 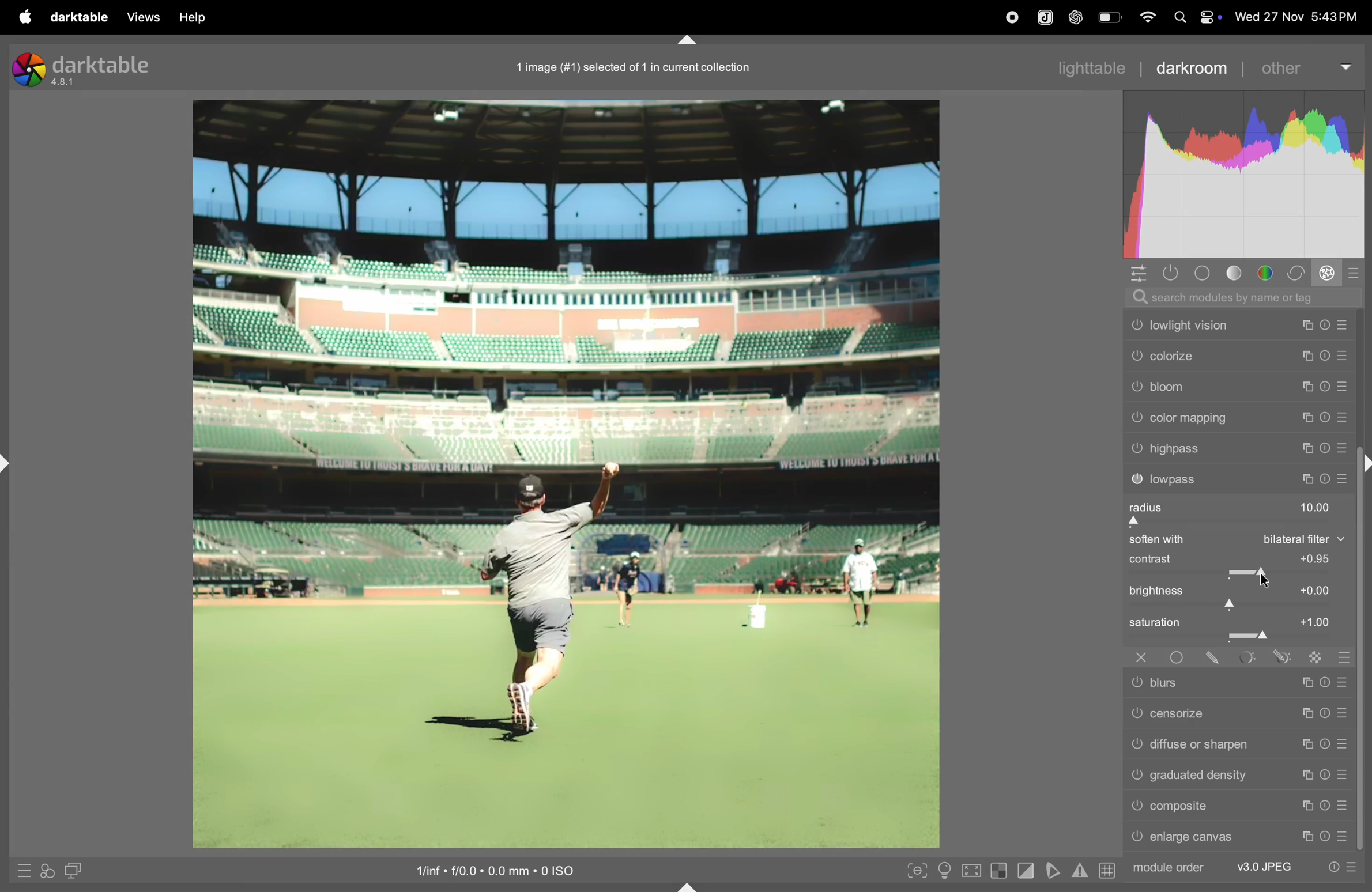 I want to click on raster mask, so click(x=1314, y=660).